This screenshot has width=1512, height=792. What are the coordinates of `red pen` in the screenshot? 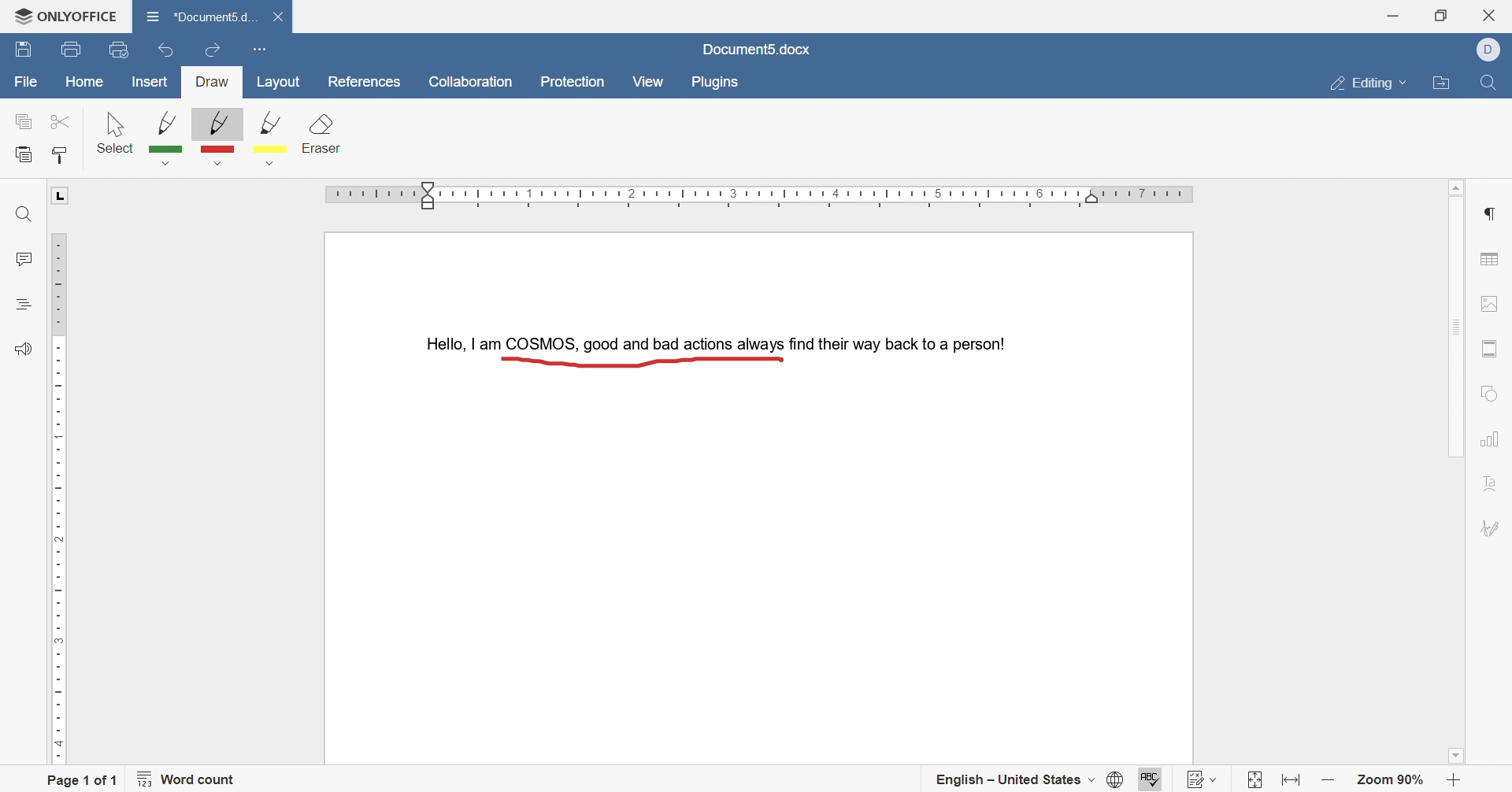 It's located at (215, 138).